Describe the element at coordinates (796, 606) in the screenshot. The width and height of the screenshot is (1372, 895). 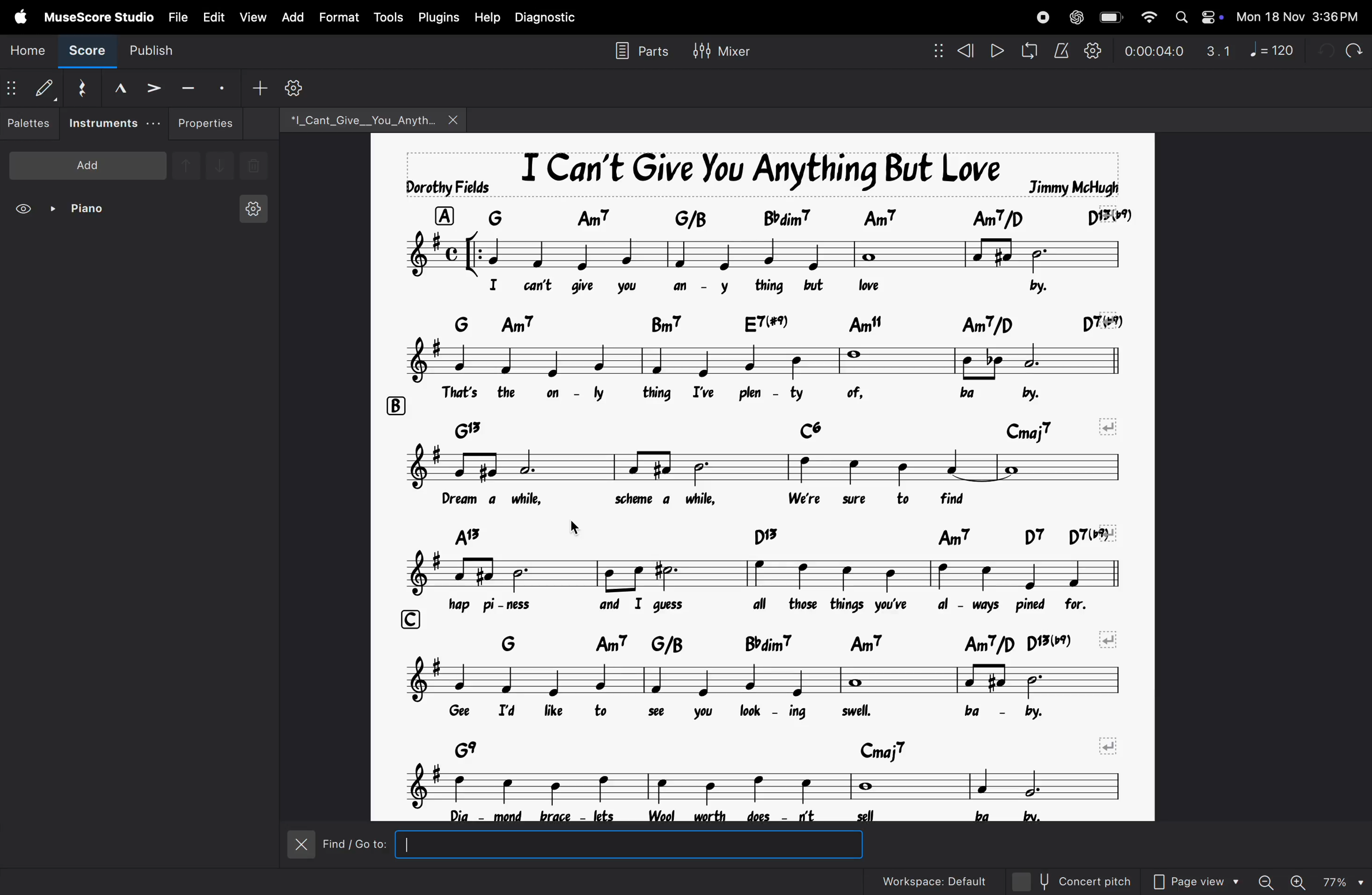
I see `lyrics` at that location.